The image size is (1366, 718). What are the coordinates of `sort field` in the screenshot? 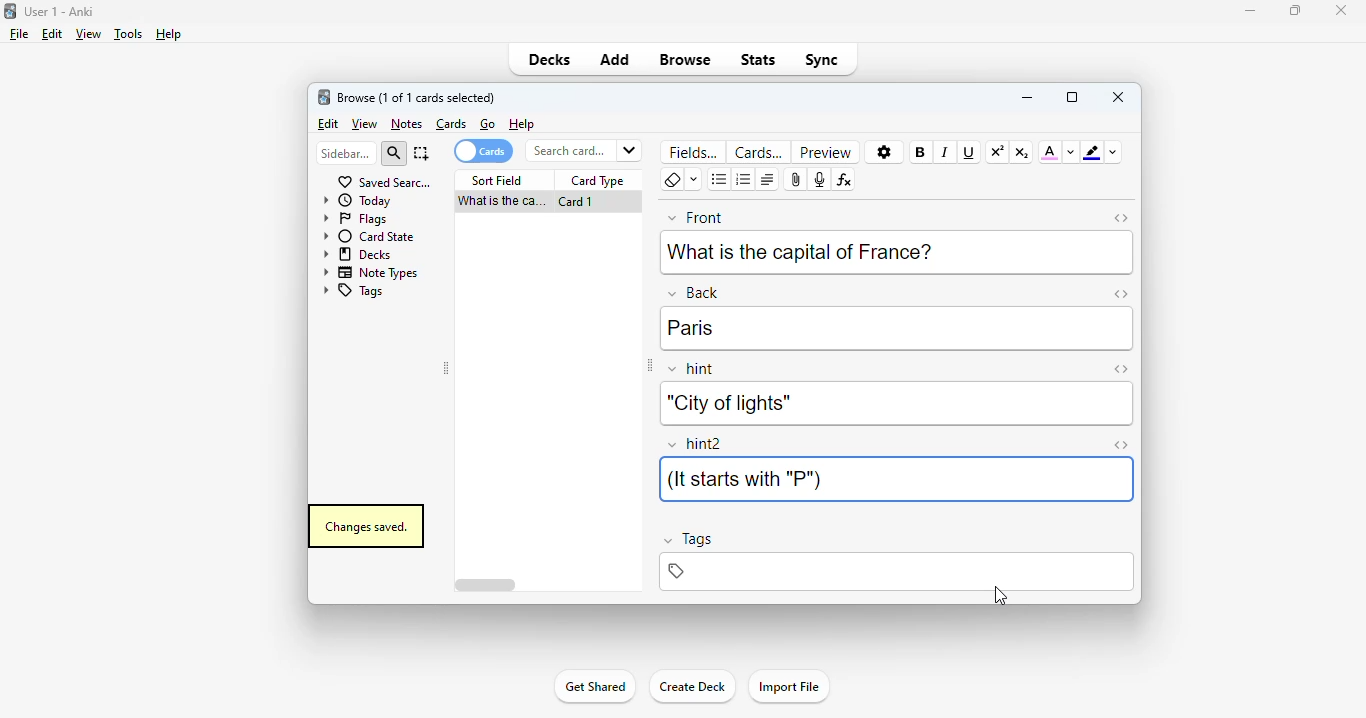 It's located at (497, 181).